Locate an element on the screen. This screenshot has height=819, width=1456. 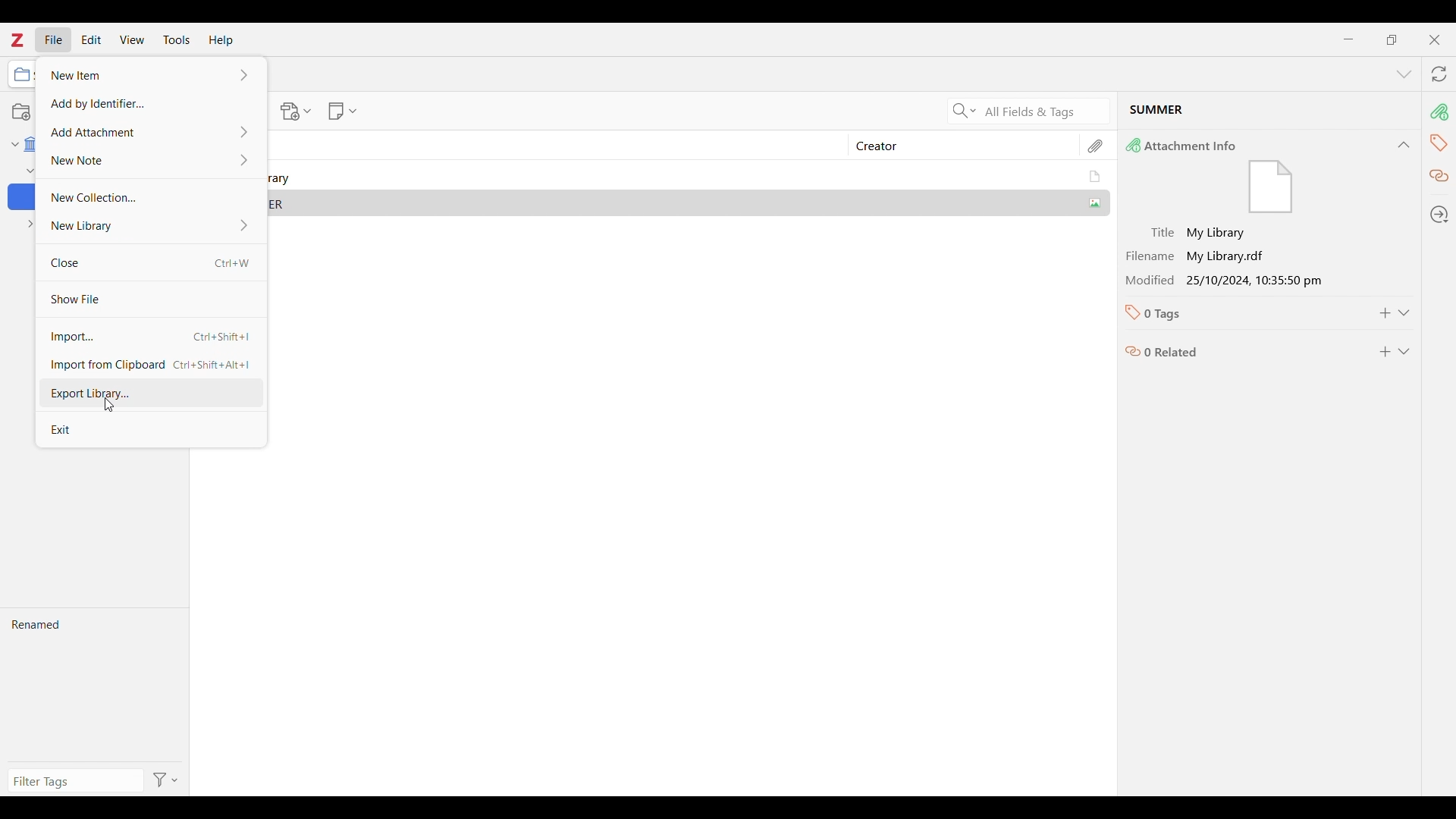
Search criteria  is located at coordinates (964, 111).